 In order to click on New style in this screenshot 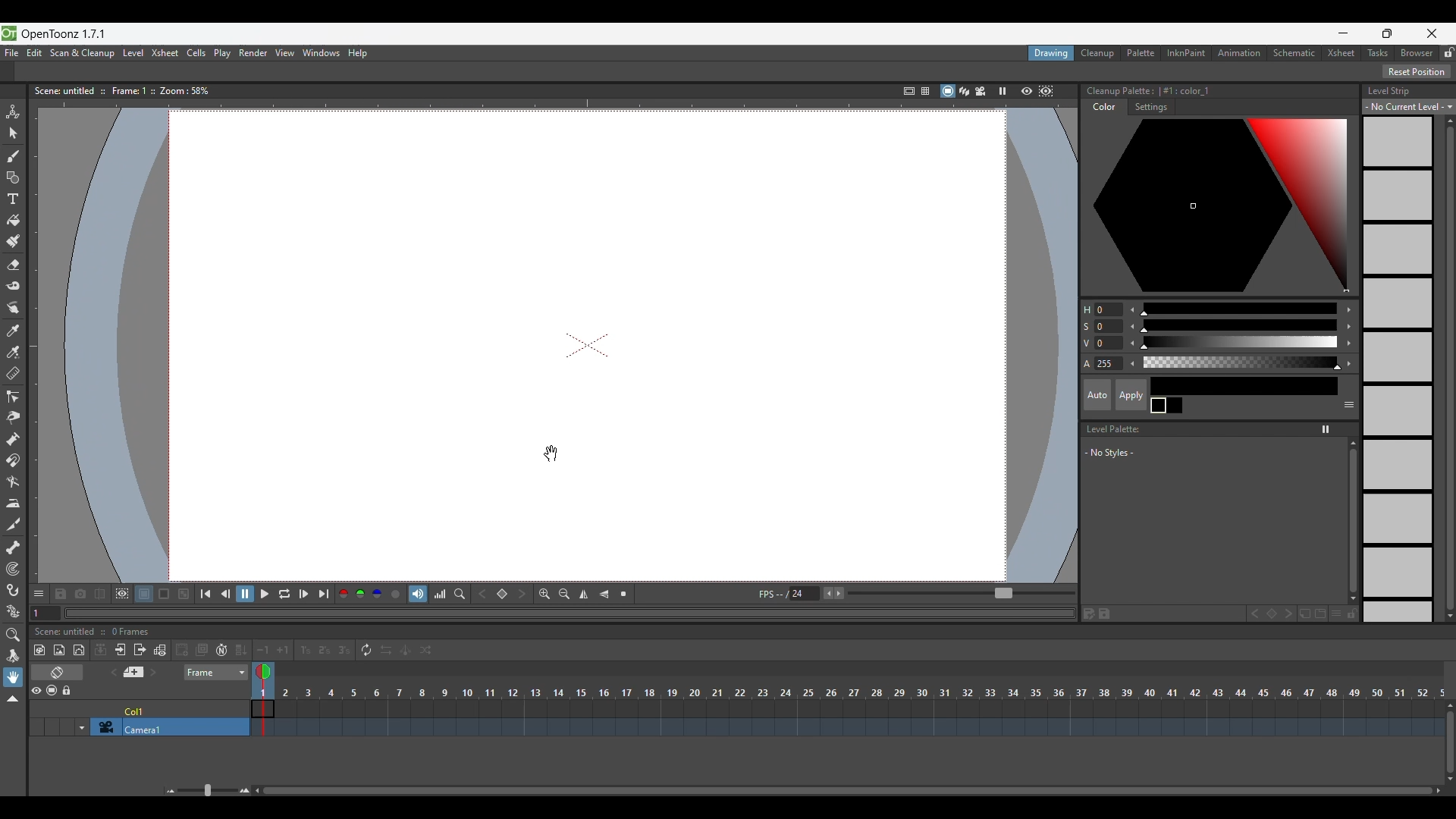, I will do `click(1330, 613)`.